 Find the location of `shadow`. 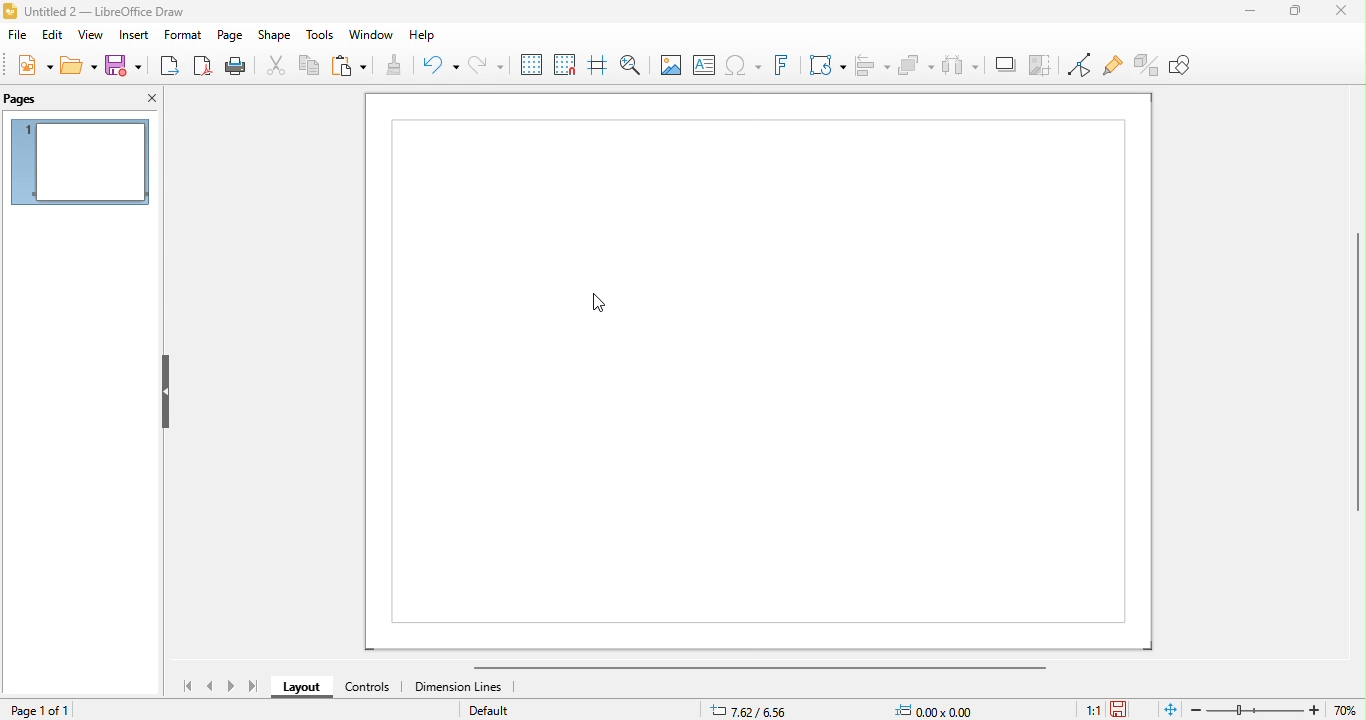

shadow is located at coordinates (1005, 65).